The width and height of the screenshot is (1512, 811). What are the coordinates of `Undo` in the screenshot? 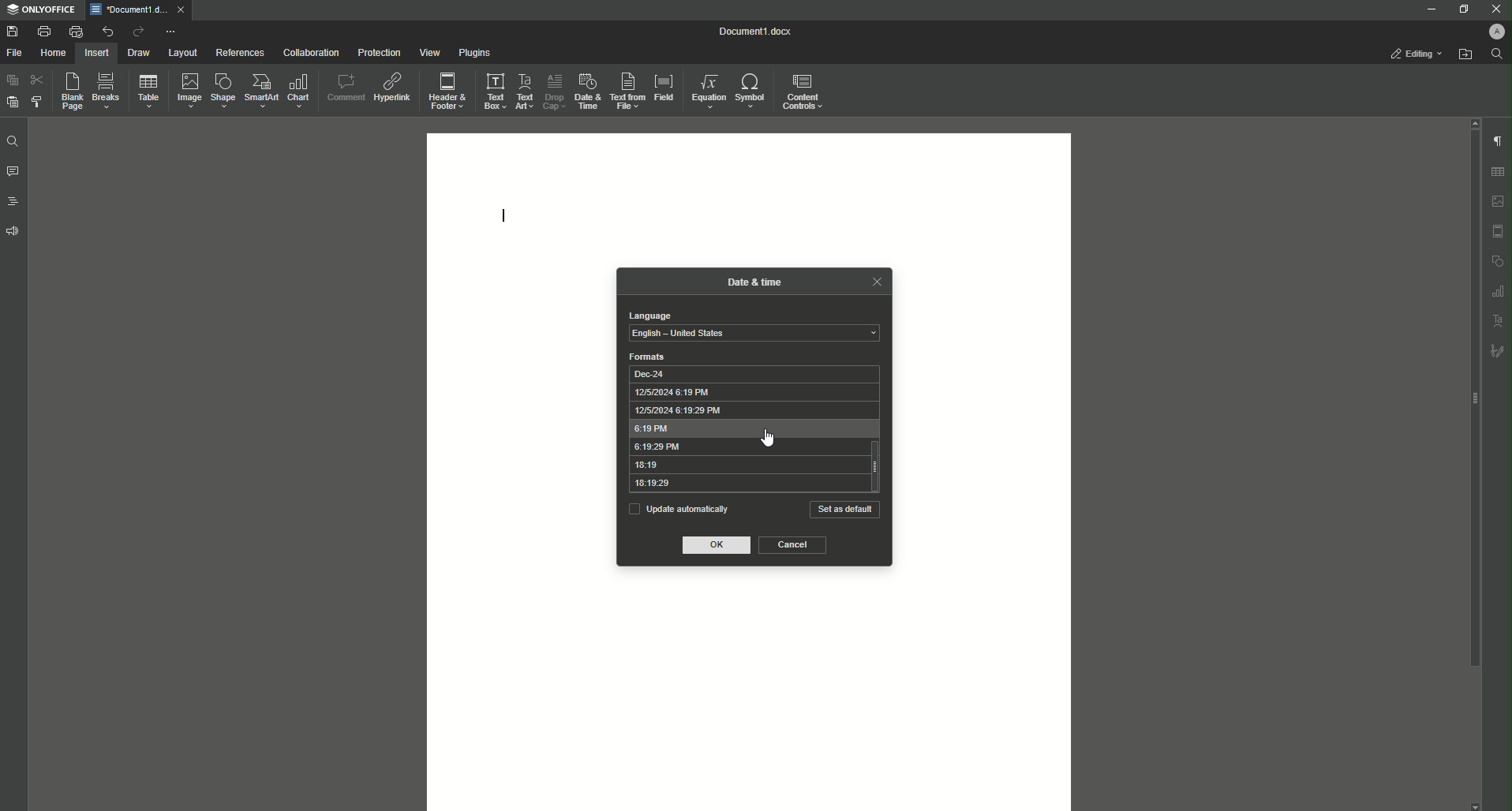 It's located at (106, 31).